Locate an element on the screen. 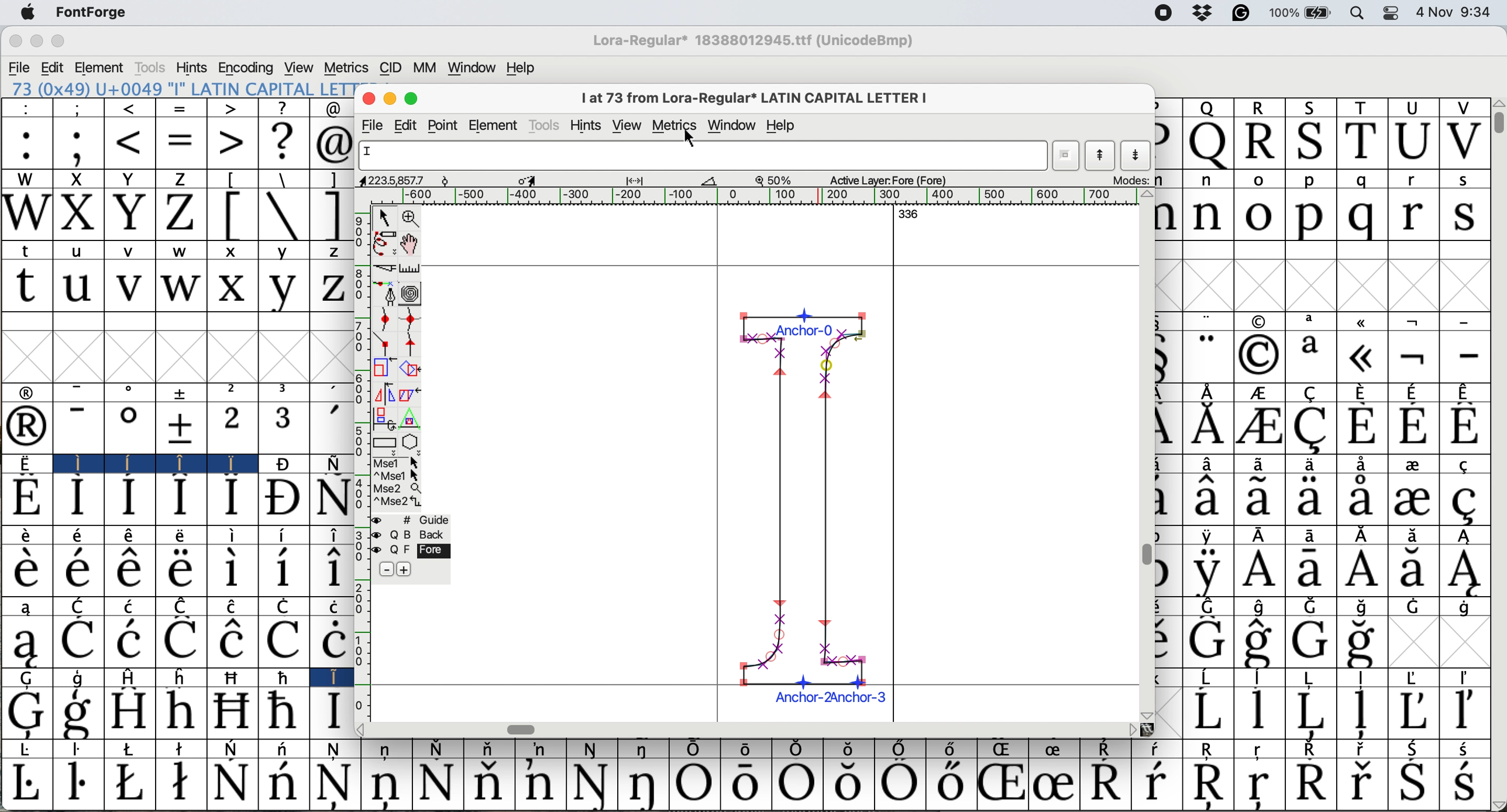  , is located at coordinates (334, 393).